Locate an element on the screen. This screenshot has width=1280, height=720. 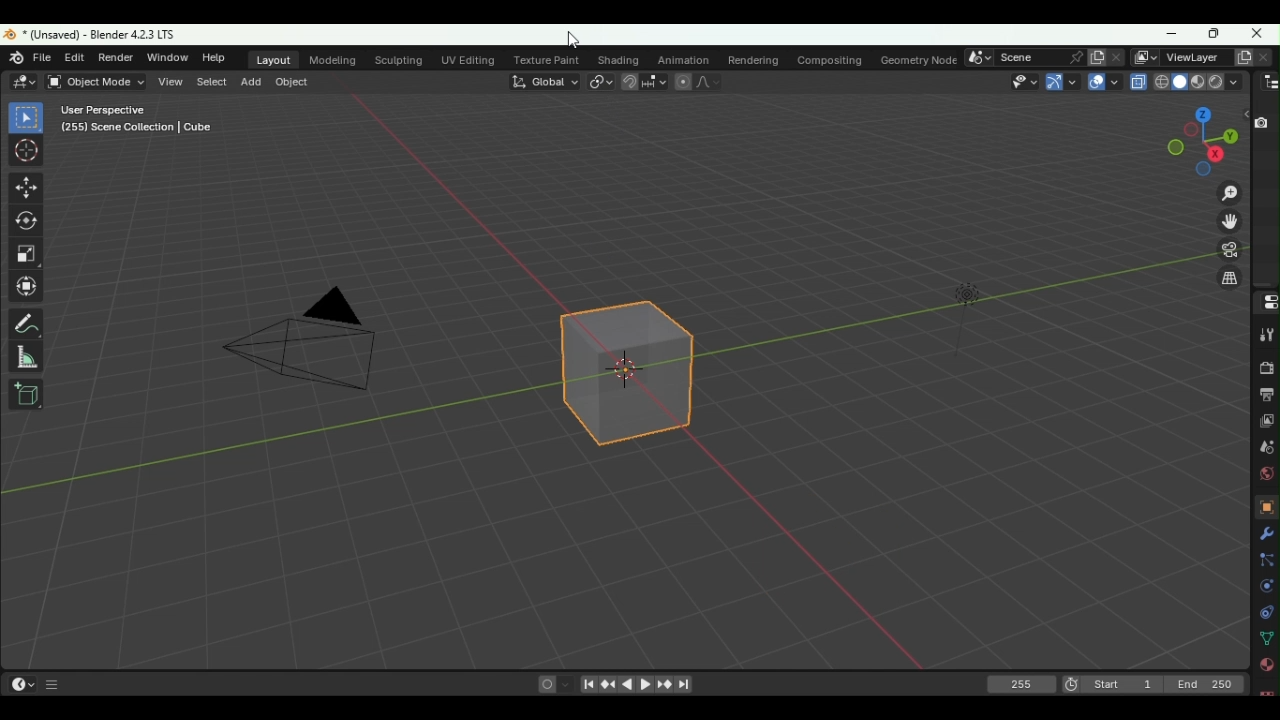
Sculpting is located at coordinates (402, 60).